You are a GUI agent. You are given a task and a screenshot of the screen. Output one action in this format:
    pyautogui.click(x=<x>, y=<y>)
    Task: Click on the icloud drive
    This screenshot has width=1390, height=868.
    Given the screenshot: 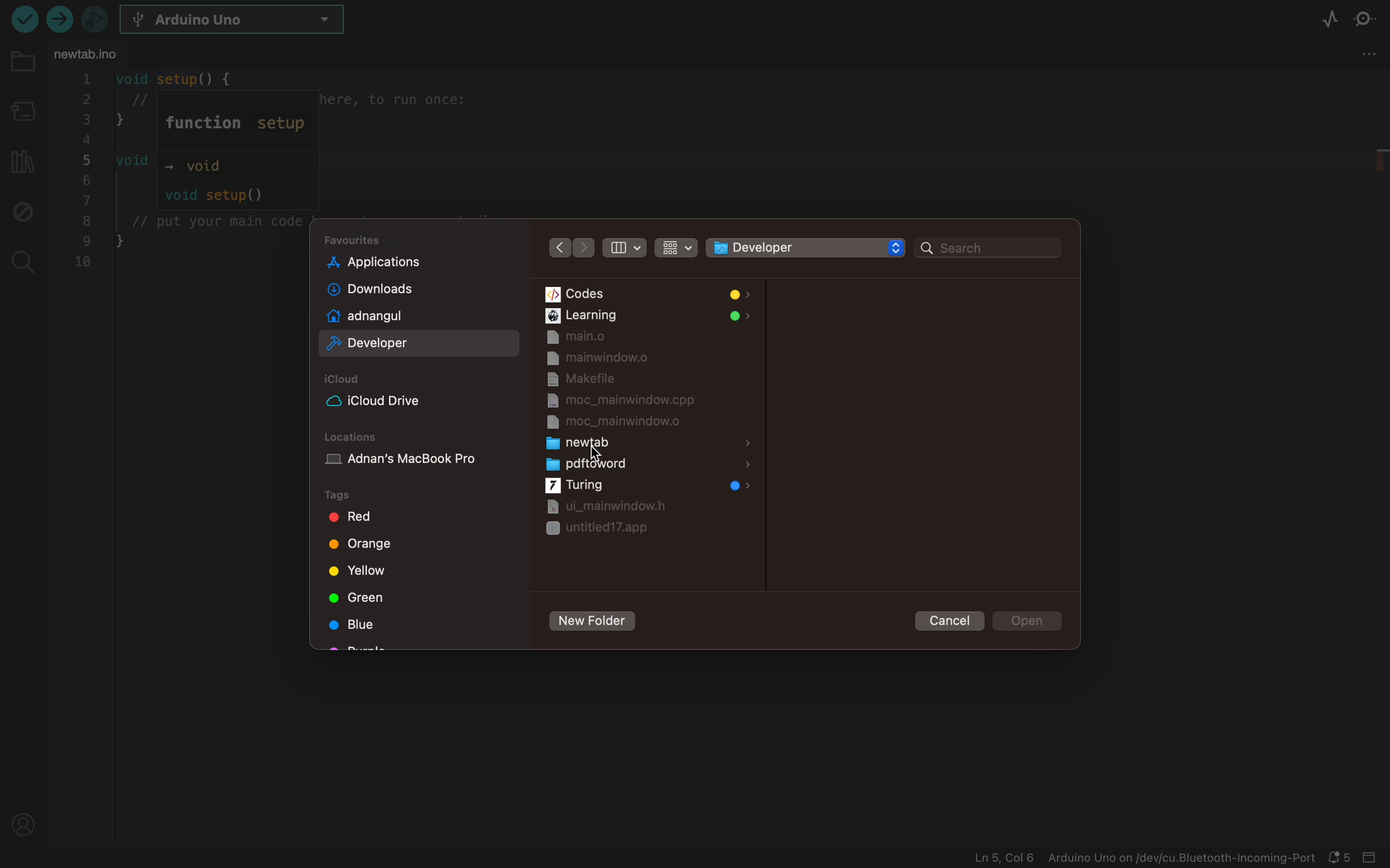 What is the action you would take?
    pyautogui.click(x=395, y=401)
    